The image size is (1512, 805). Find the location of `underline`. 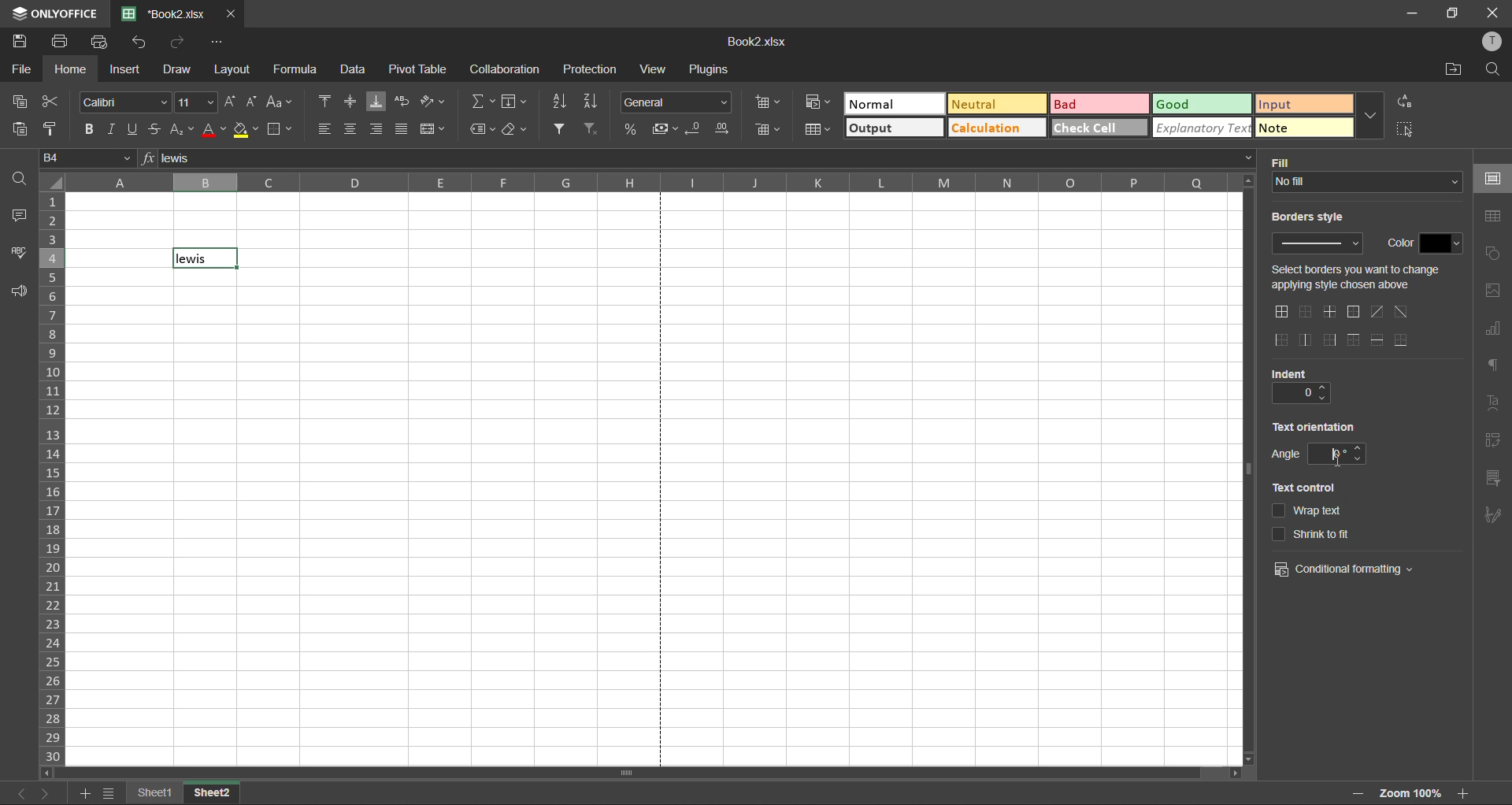

underline is located at coordinates (133, 130).